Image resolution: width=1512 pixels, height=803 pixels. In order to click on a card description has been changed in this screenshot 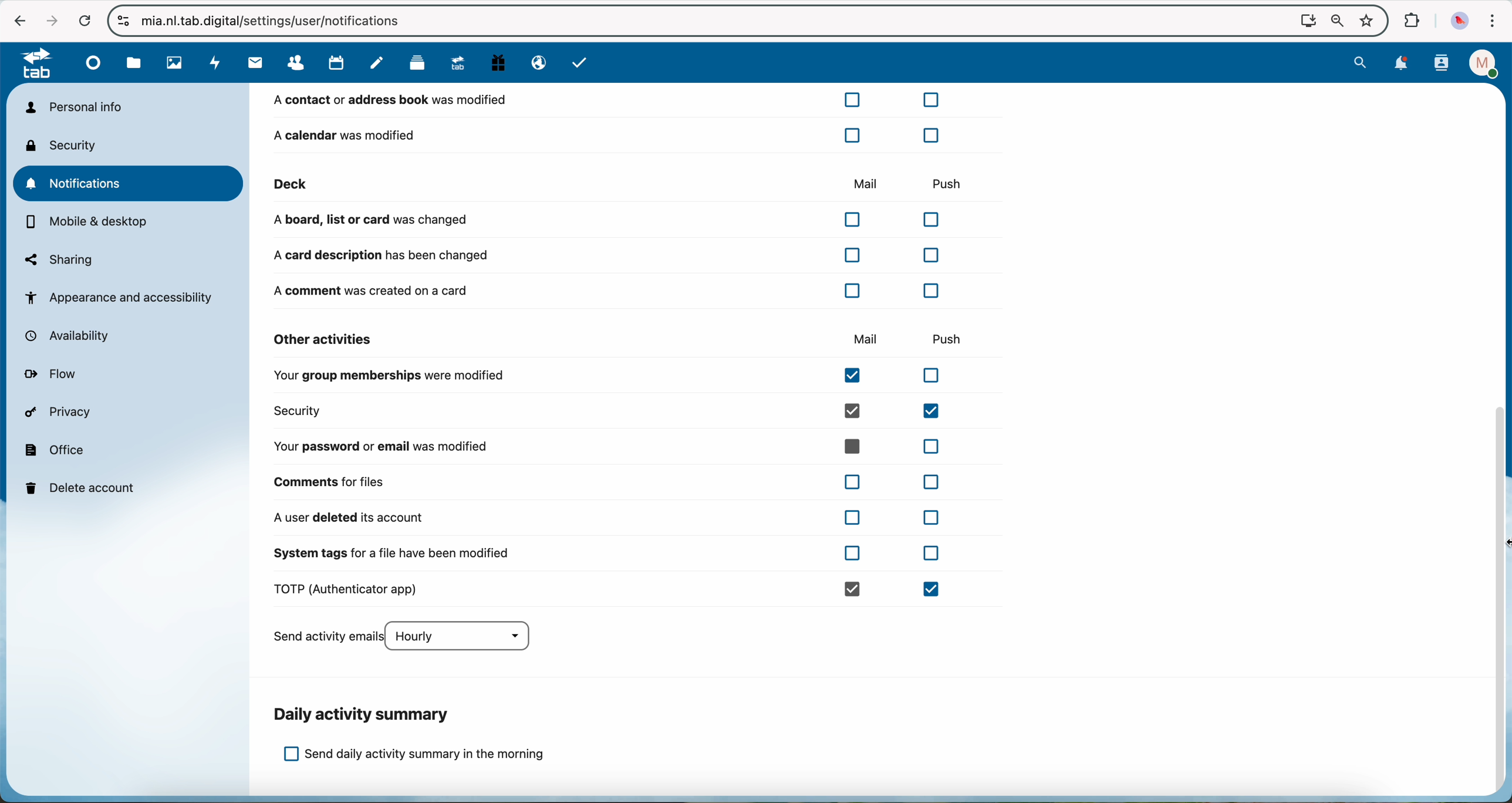, I will do `click(606, 255)`.